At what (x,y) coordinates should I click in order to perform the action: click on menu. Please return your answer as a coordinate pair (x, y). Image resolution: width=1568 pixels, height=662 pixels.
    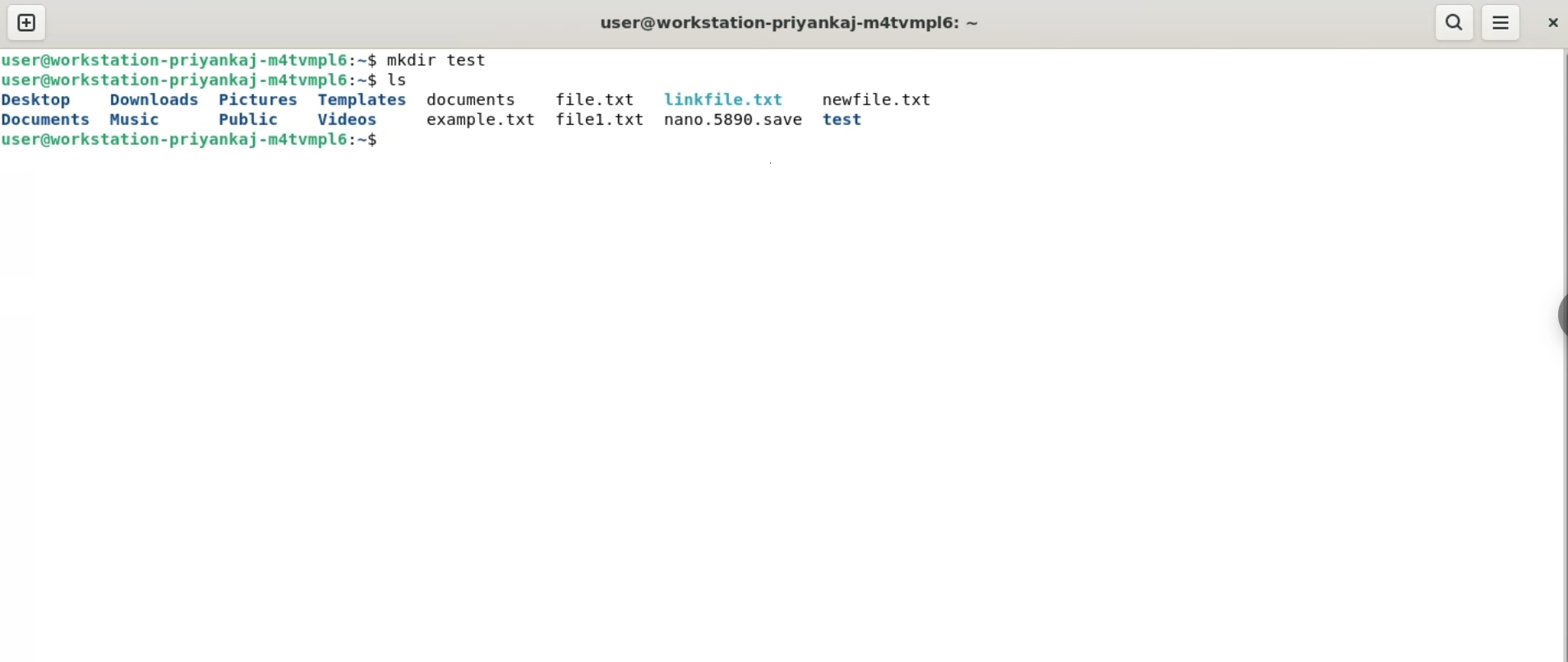
    Looking at the image, I should click on (1502, 22).